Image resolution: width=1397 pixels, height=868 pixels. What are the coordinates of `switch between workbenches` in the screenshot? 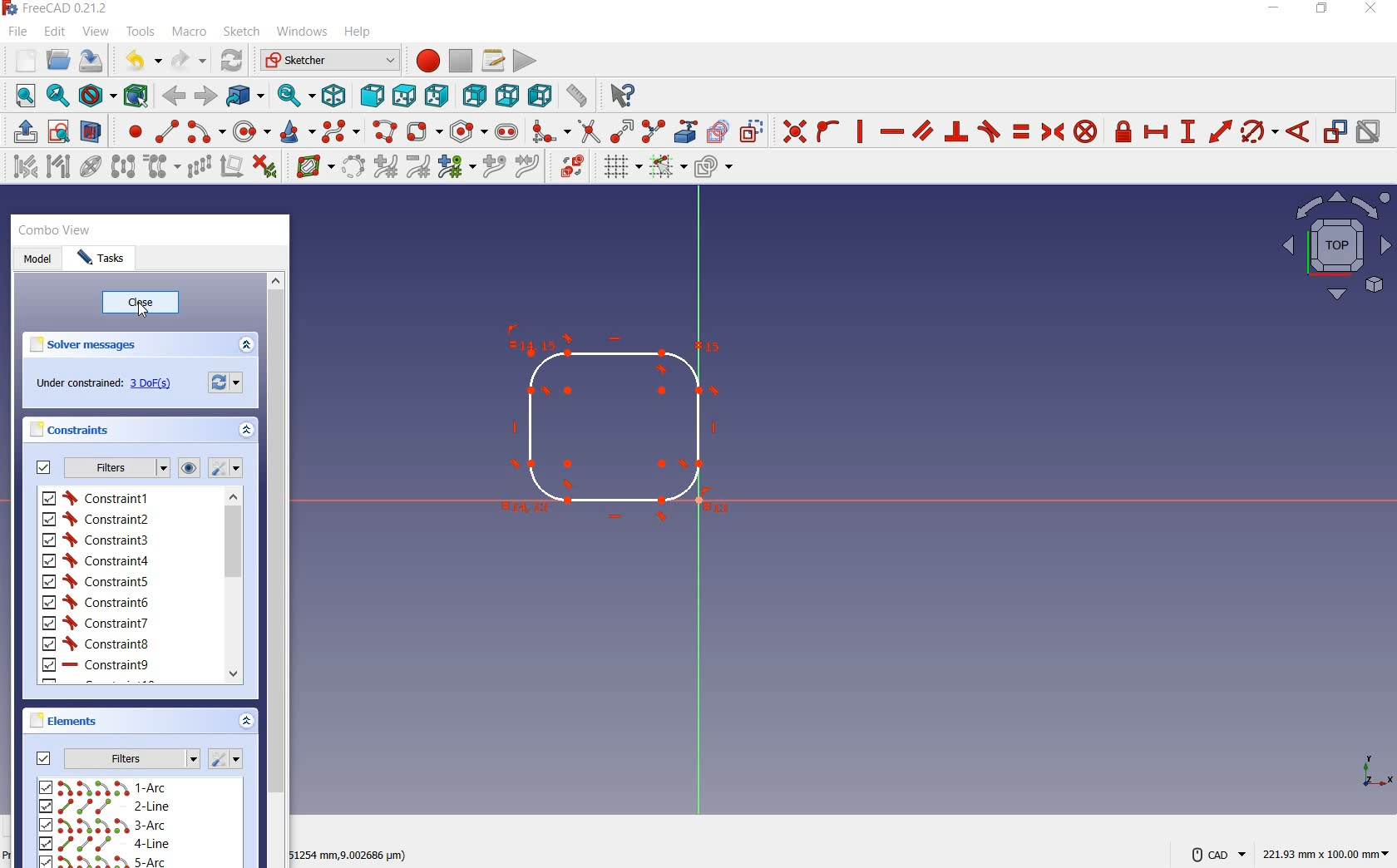 It's located at (327, 60).